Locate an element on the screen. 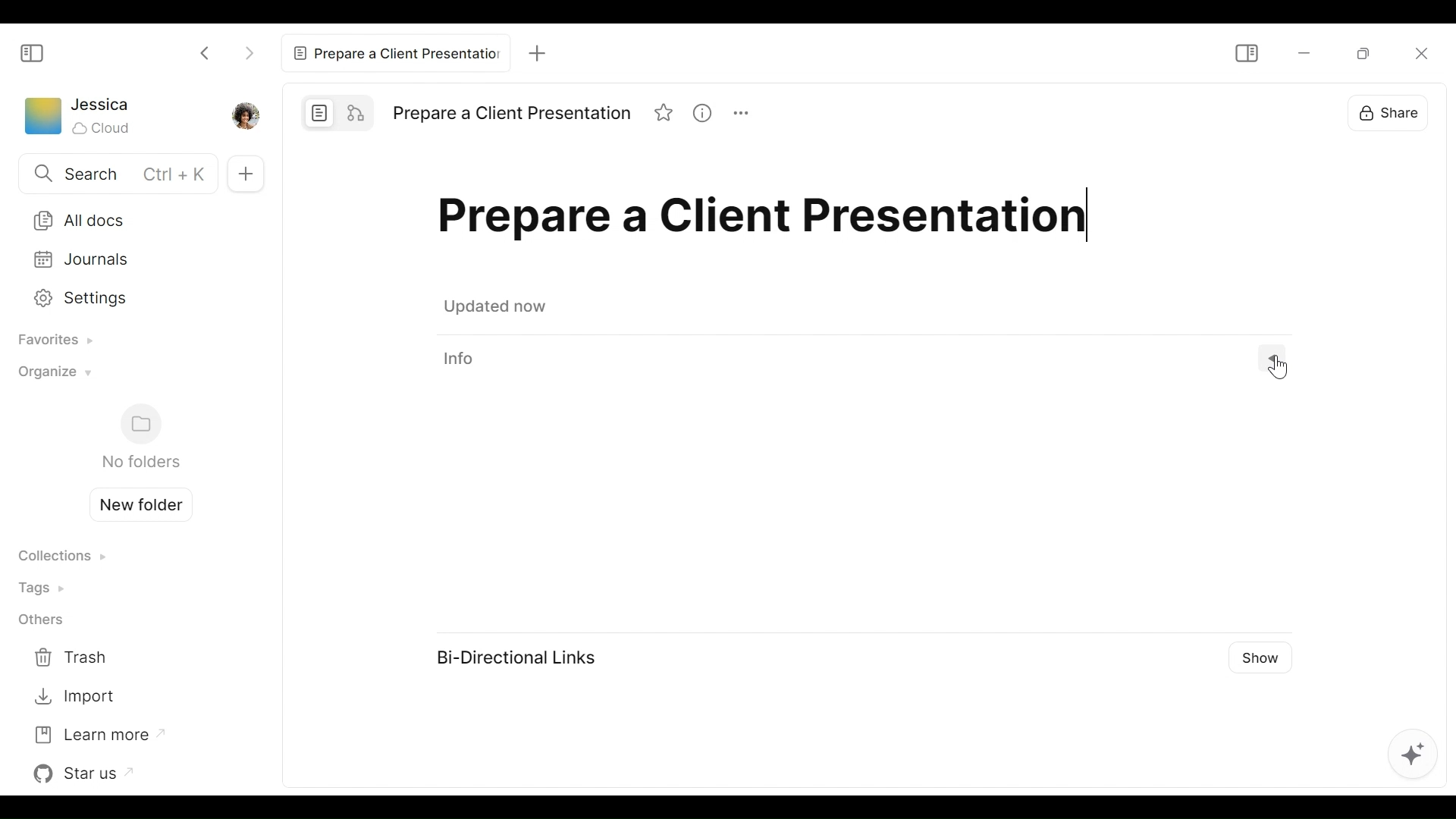 The height and width of the screenshot is (819, 1456). Create new folder is located at coordinates (135, 503).